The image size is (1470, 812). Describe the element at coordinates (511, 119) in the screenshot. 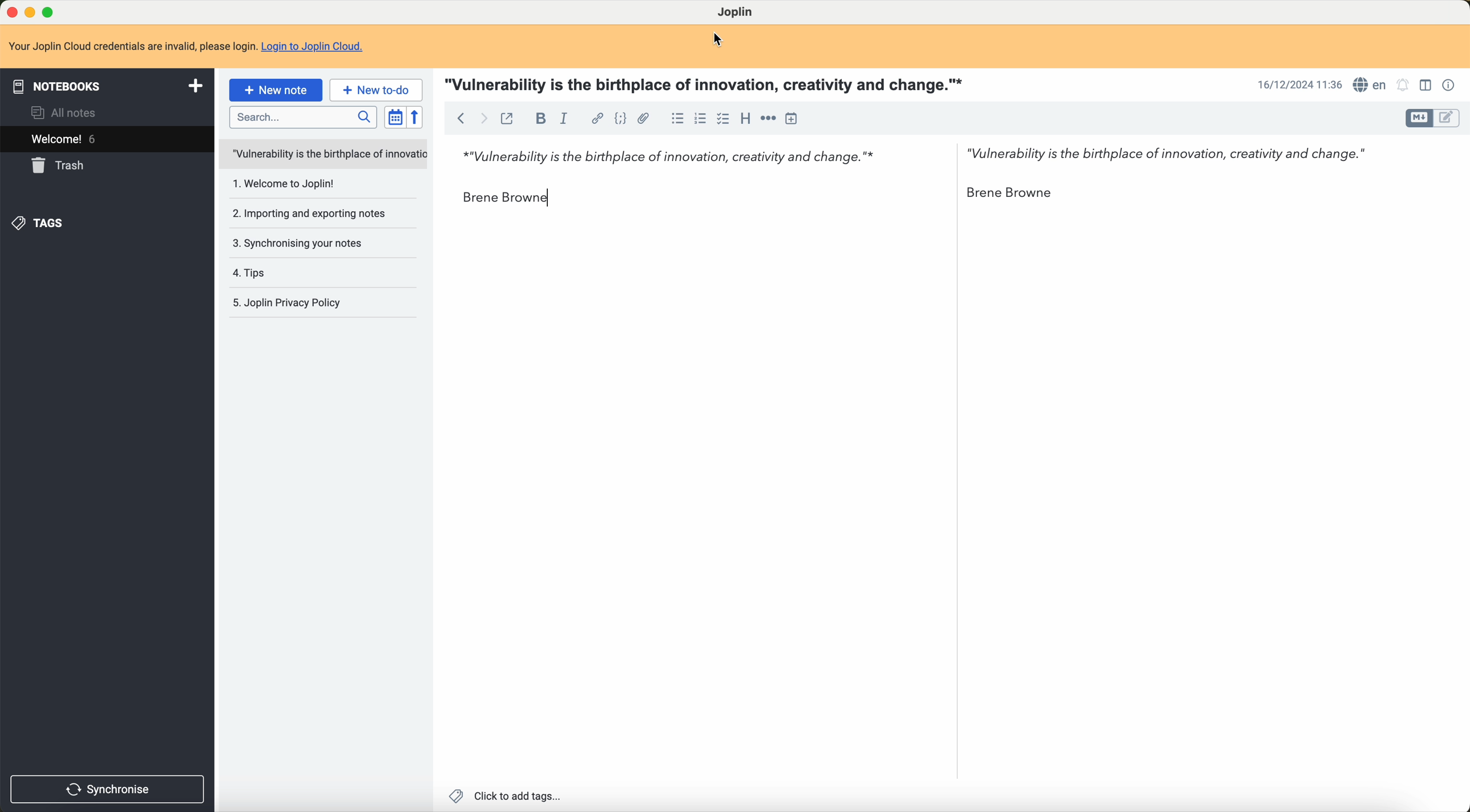

I see `toggle external editing` at that location.